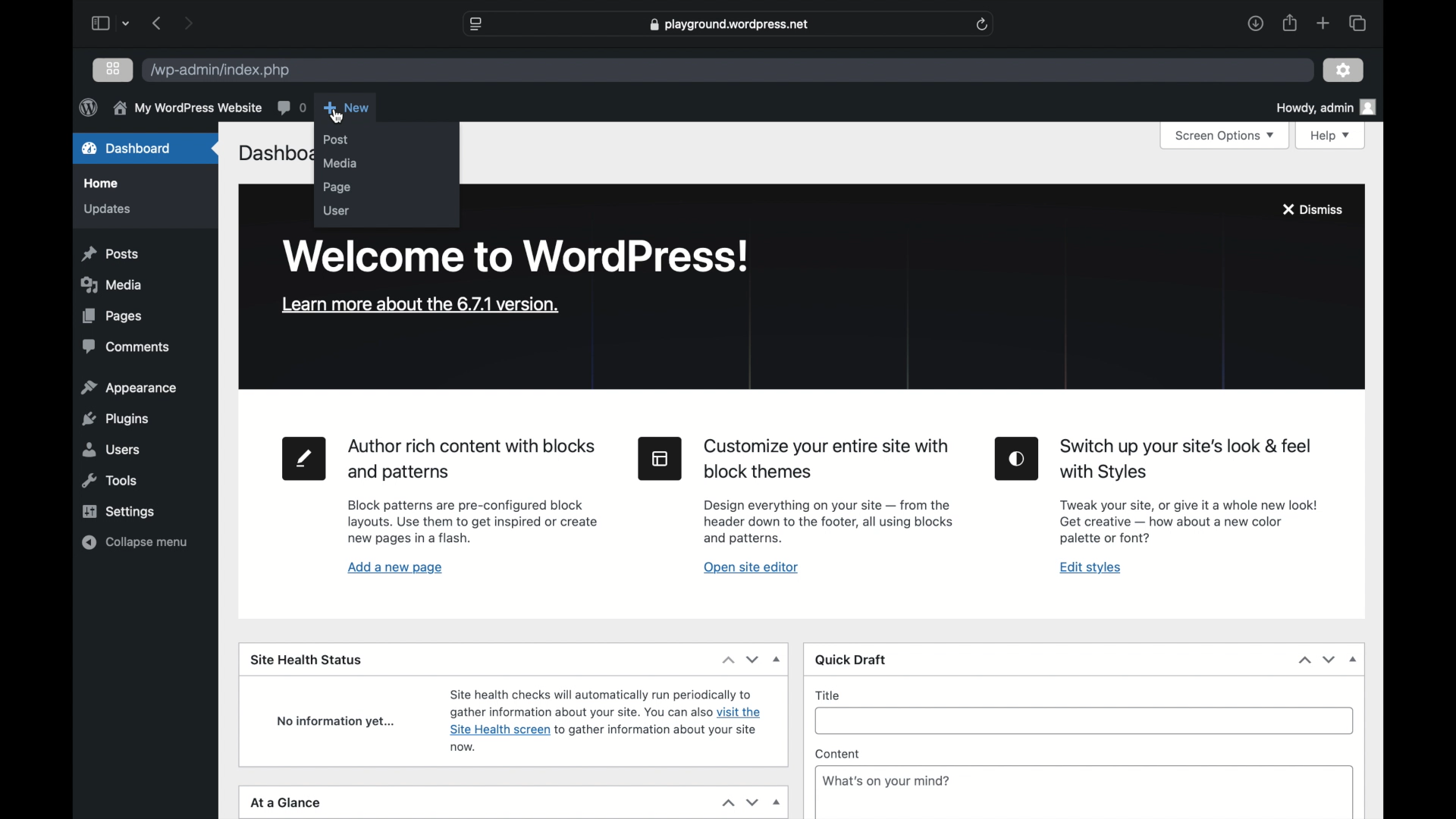 Image resolution: width=1456 pixels, height=819 pixels. I want to click on help, so click(1332, 136).